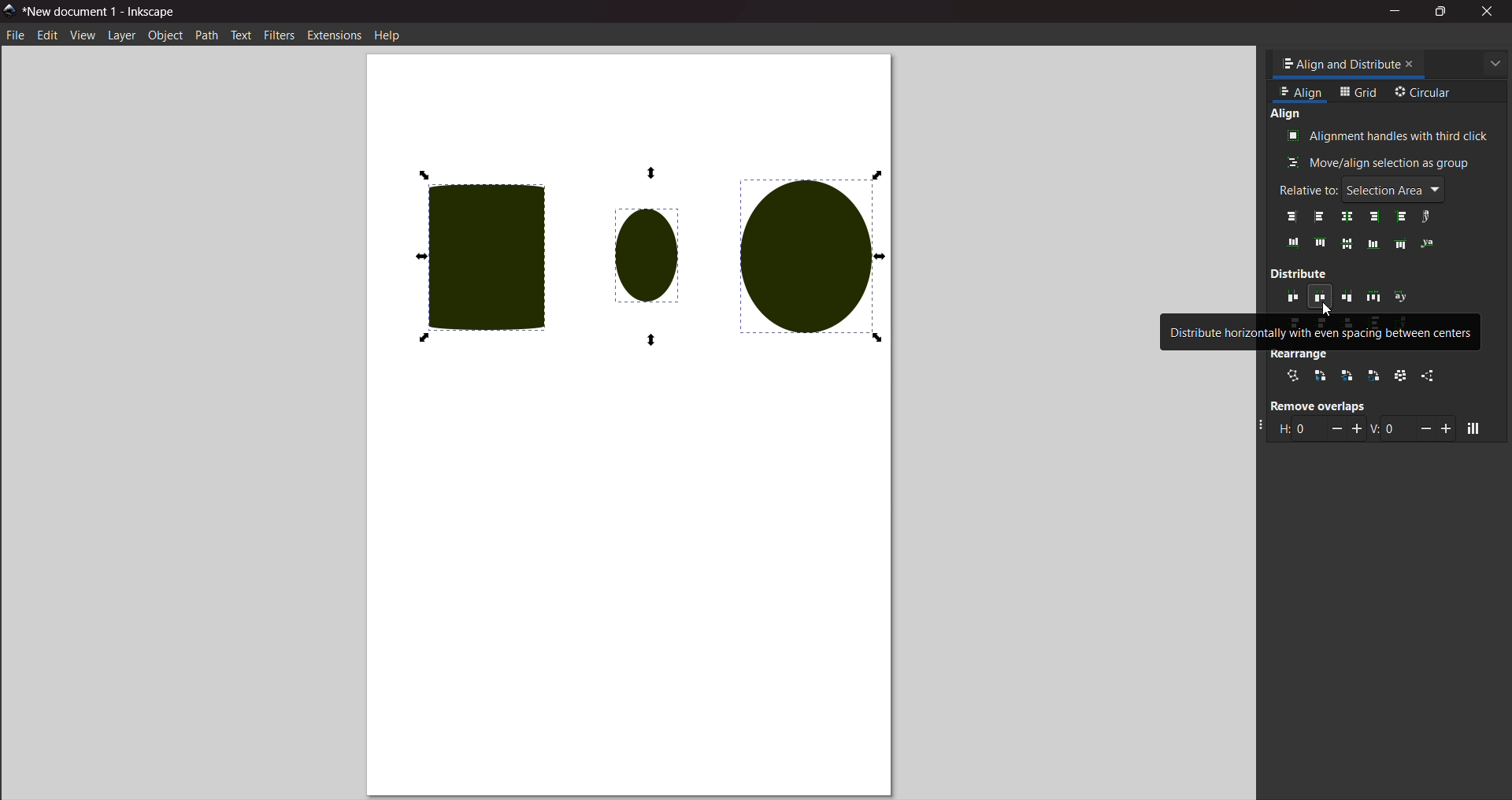 The image size is (1512, 800). What do you see at coordinates (1429, 377) in the screenshot?
I see `unclump` at bounding box center [1429, 377].